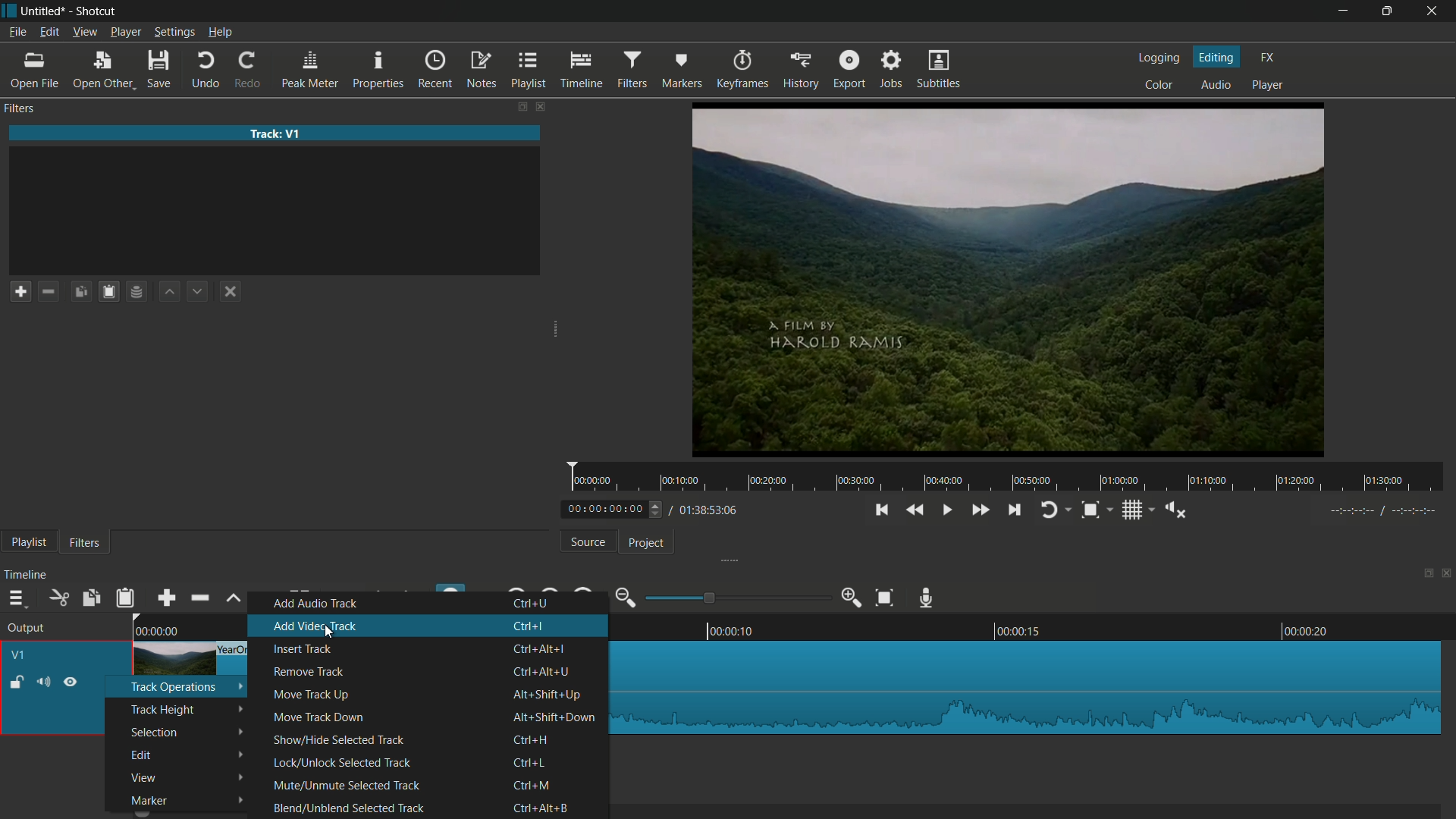 Image resolution: width=1456 pixels, height=819 pixels. What do you see at coordinates (347, 808) in the screenshot?
I see `Blend/Unblend Selected Track` at bounding box center [347, 808].